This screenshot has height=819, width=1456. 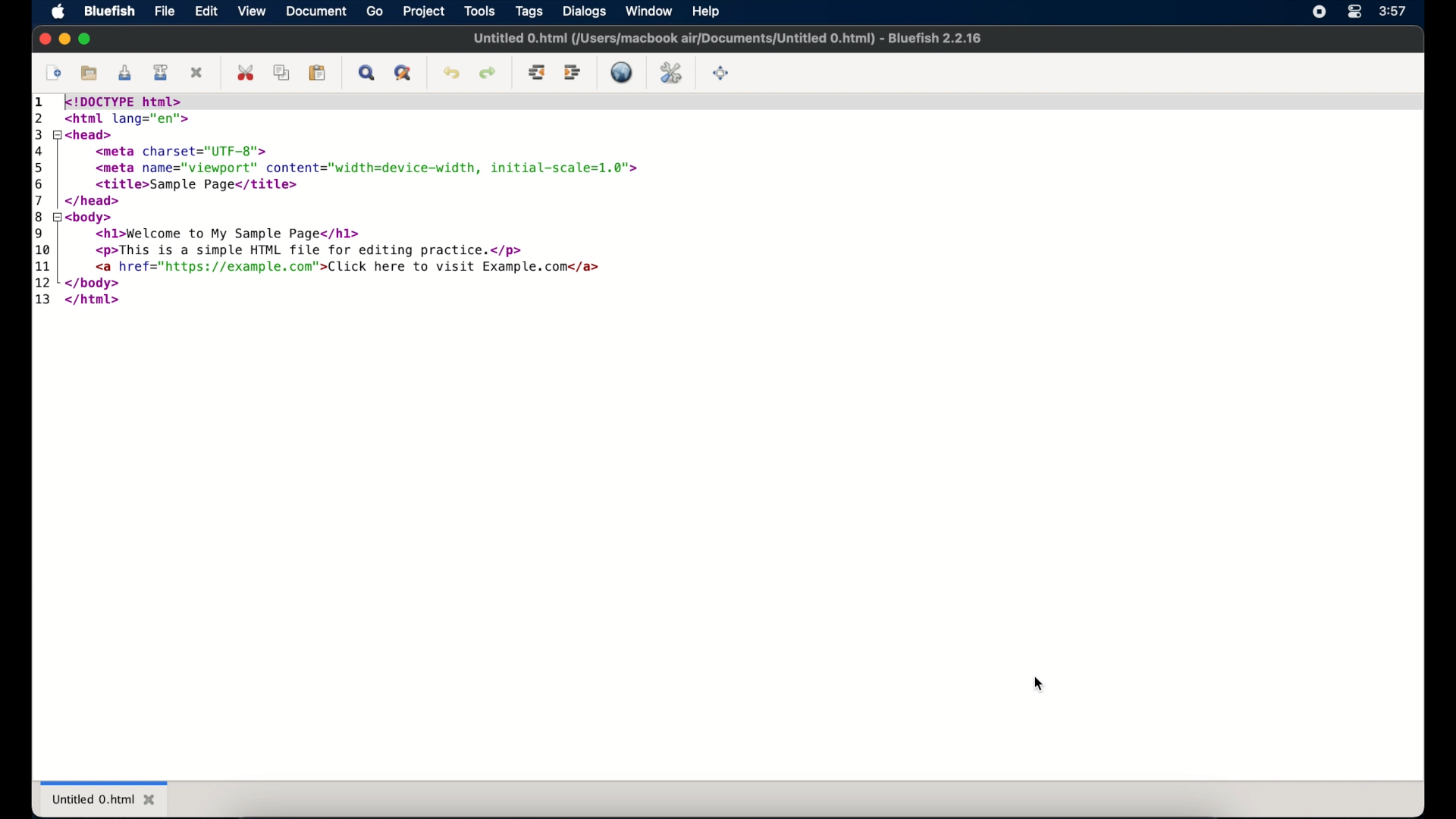 What do you see at coordinates (423, 11) in the screenshot?
I see `project` at bounding box center [423, 11].